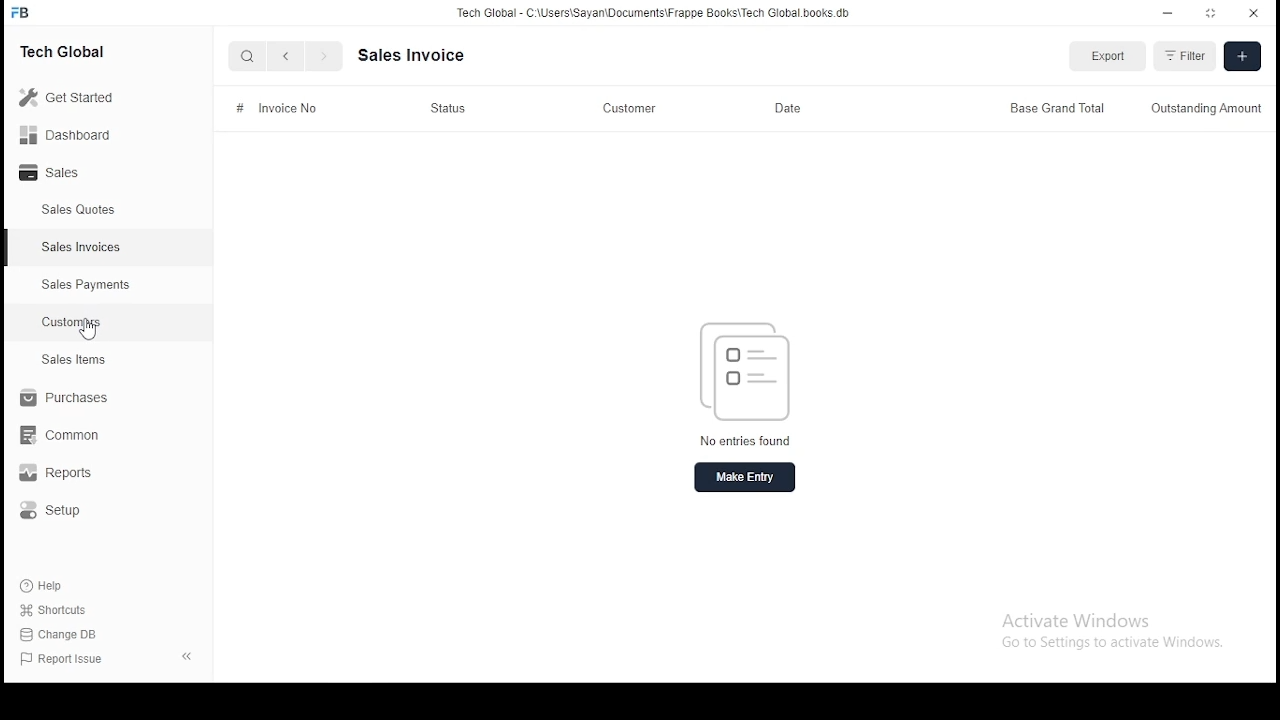  What do you see at coordinates (1204, 110) in the screenshot?
I see `outstanding amount` at bounding box center [1204, 110].